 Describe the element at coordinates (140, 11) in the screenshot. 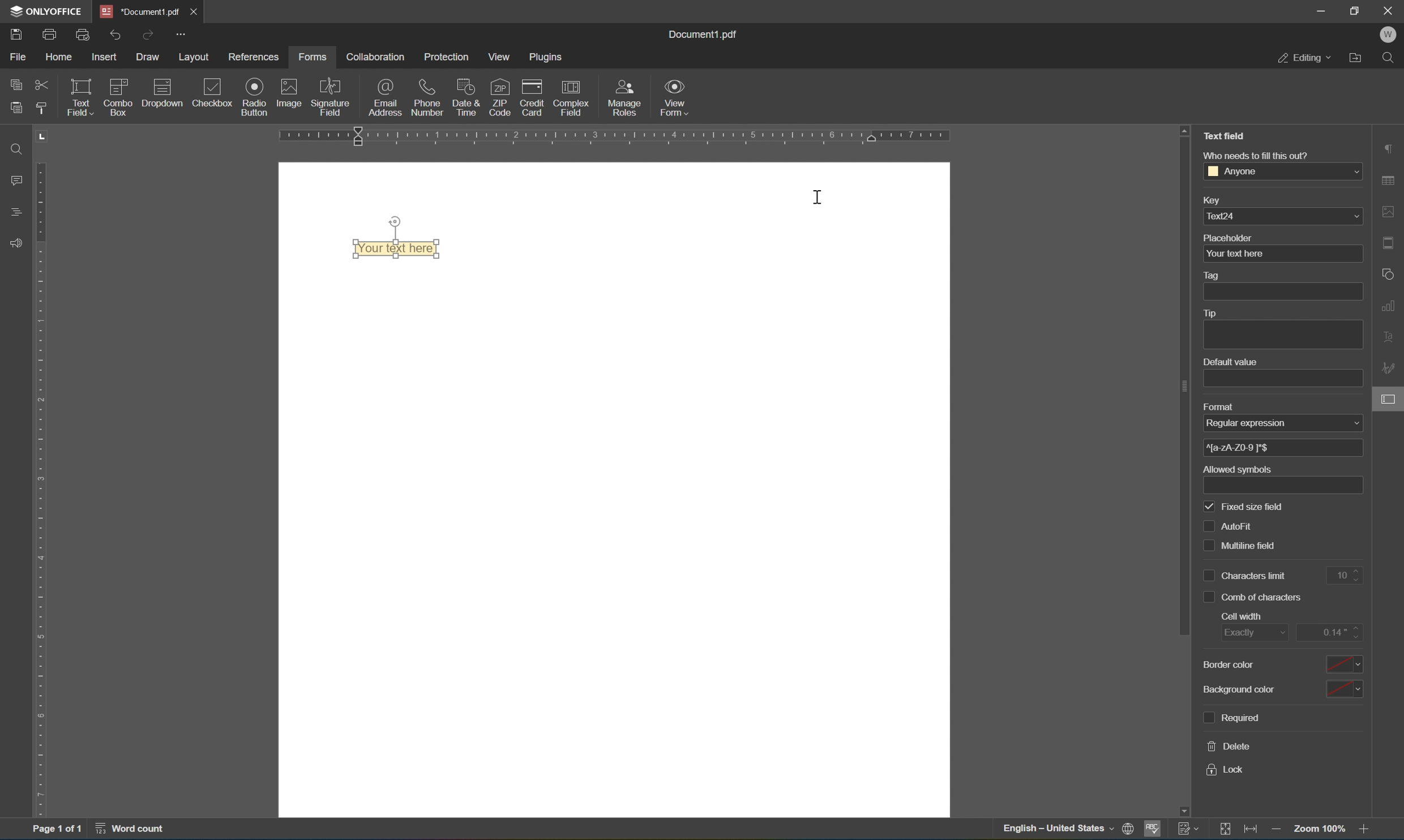

I see `*document1.pdf` at that location.